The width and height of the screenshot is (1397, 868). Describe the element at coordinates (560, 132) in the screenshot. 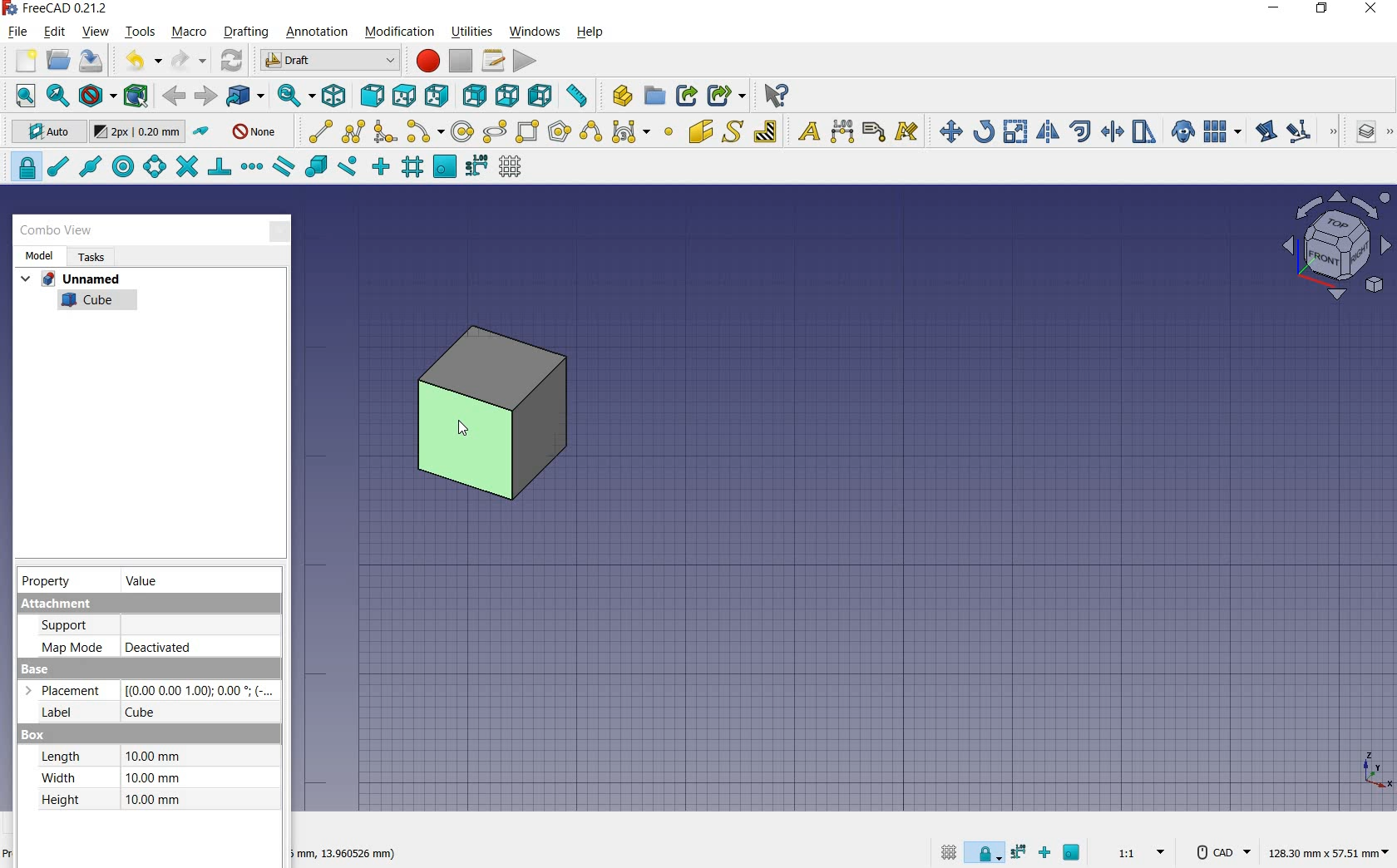

I see `polygon` at that location.